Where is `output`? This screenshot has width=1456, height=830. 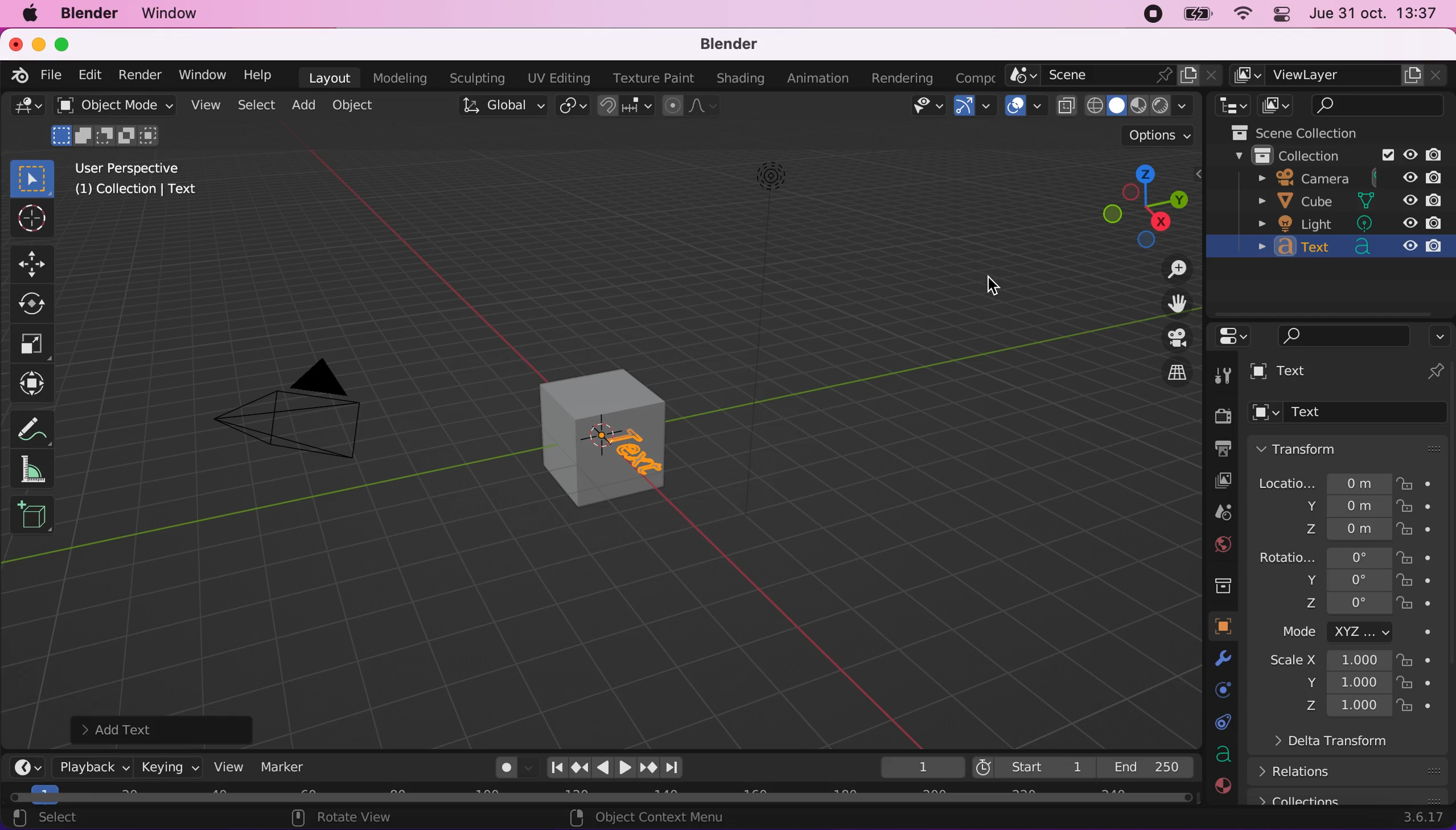
output is located at coordinates (1223, 449).